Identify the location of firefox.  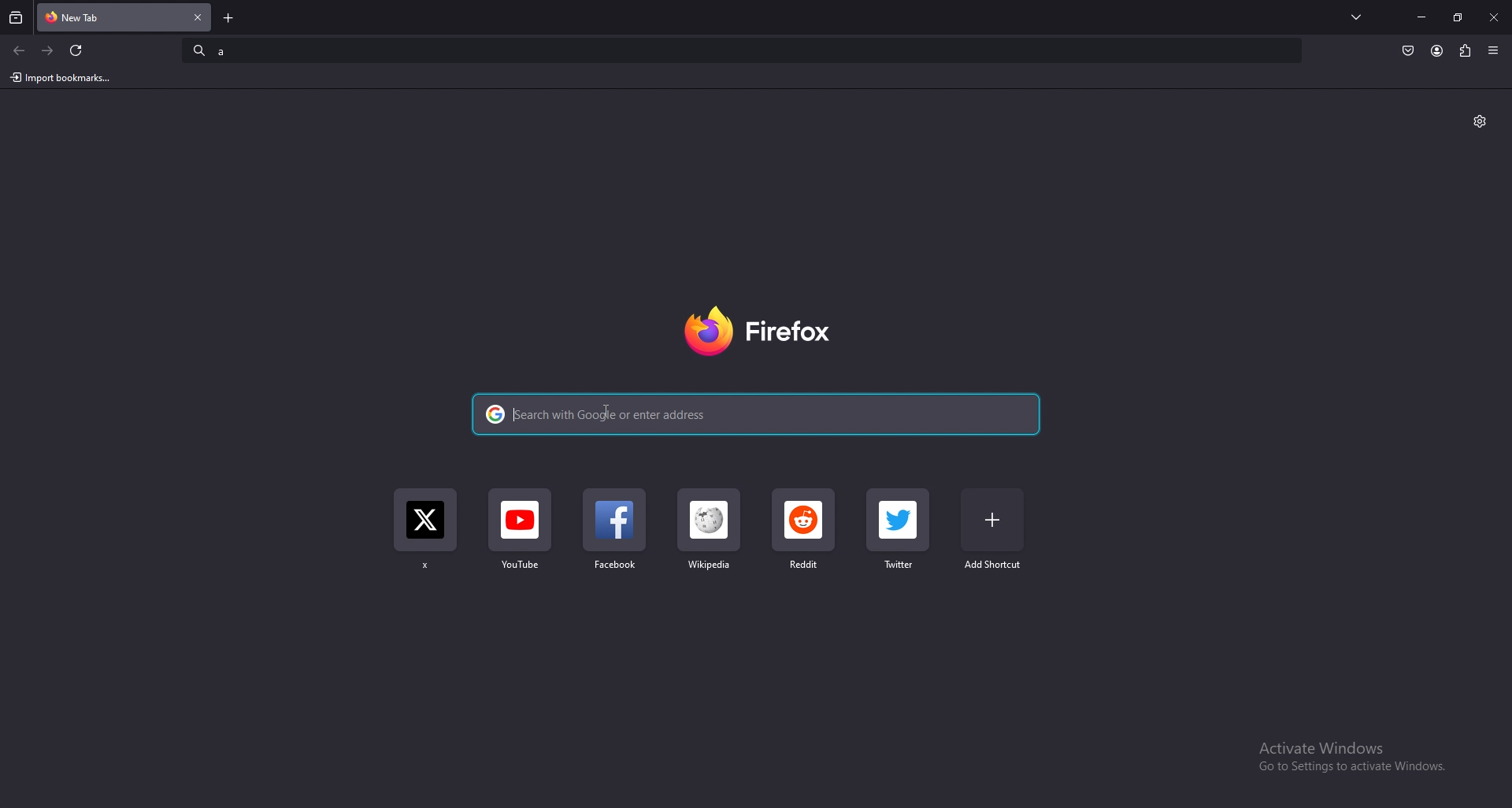
(756, 334).